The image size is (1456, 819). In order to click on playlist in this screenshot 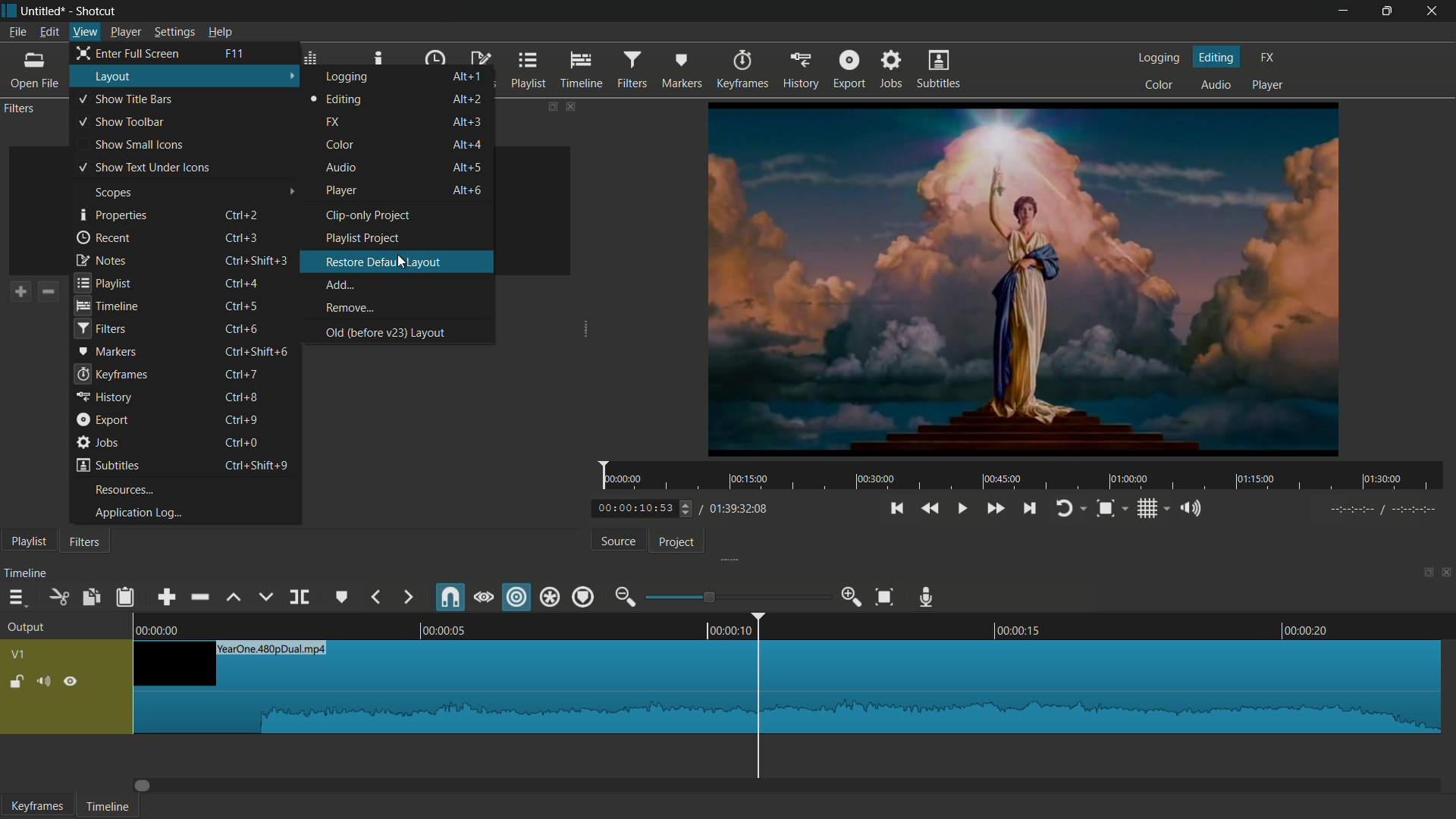, I will do `click(103, 281)`.